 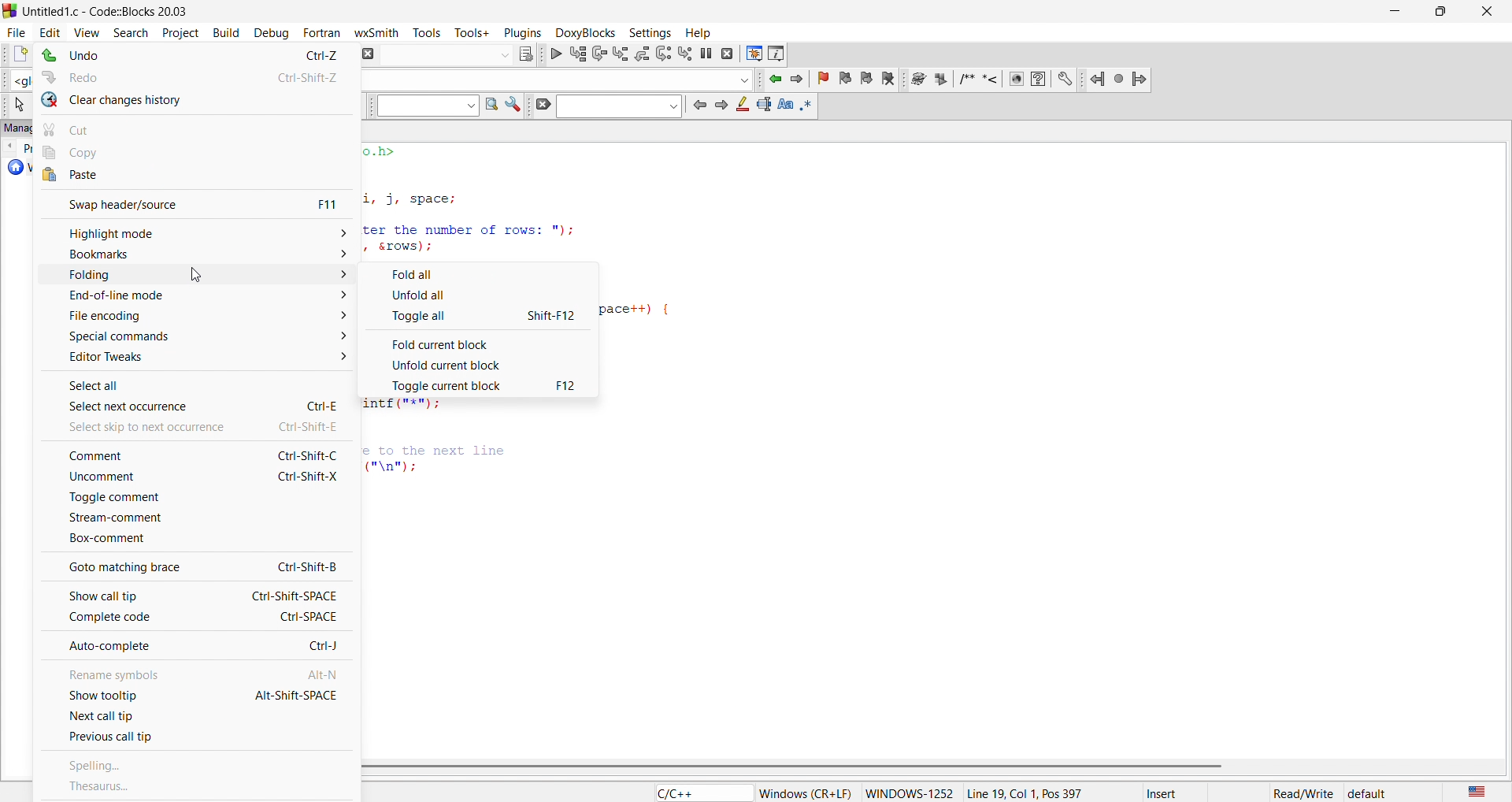 I want to click on minimize, so click(x=1392, y=12).